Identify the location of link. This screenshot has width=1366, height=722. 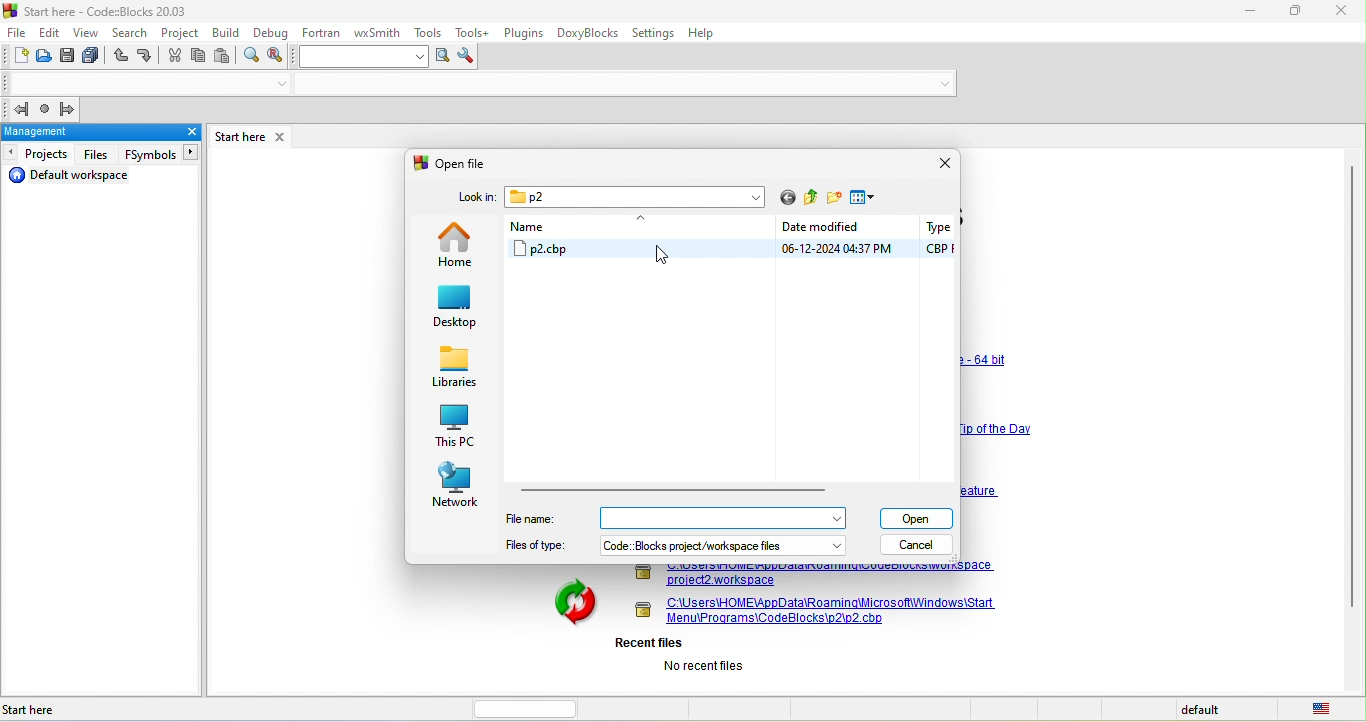
(980, 491).